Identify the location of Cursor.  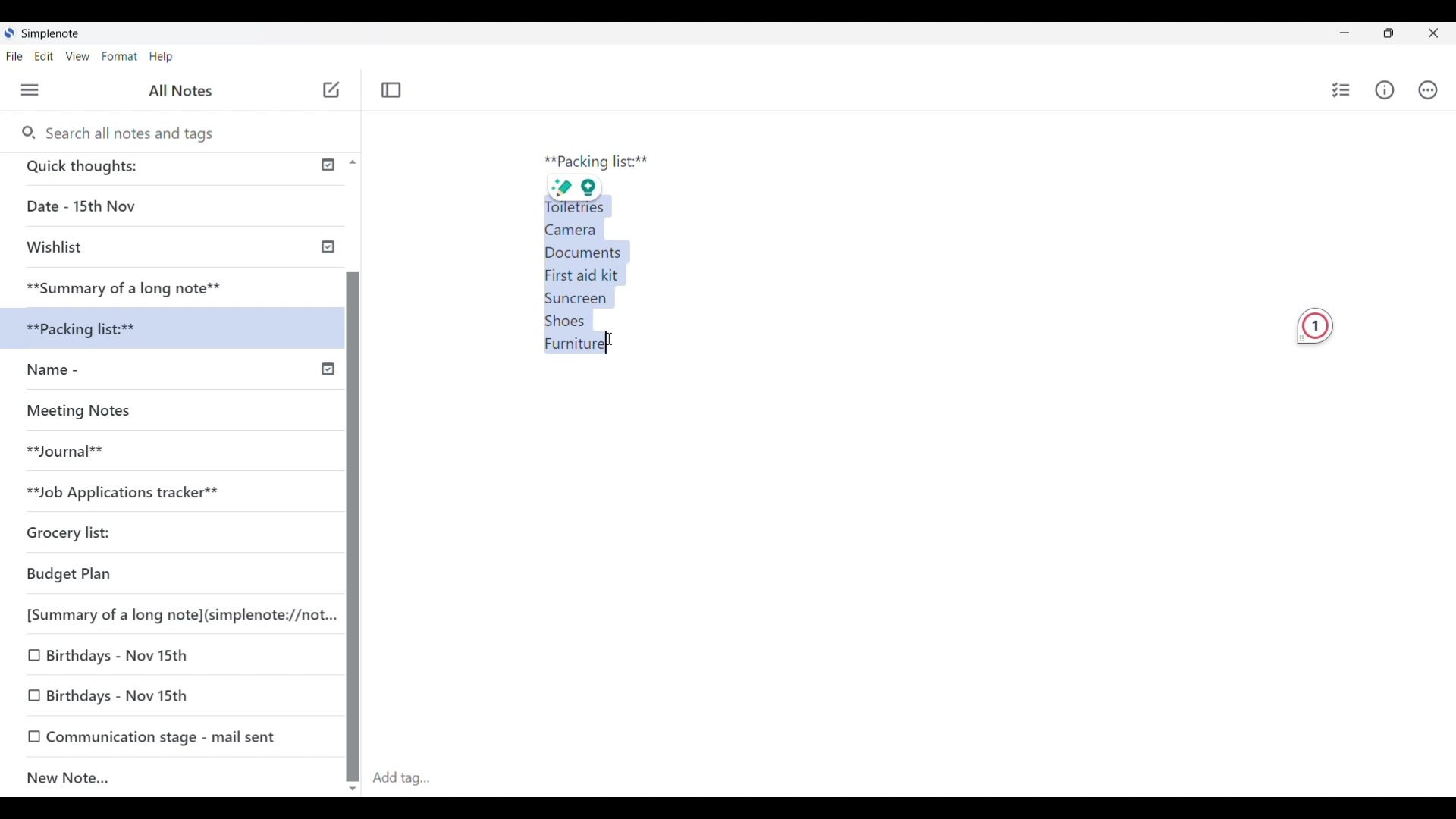
(622, 344).